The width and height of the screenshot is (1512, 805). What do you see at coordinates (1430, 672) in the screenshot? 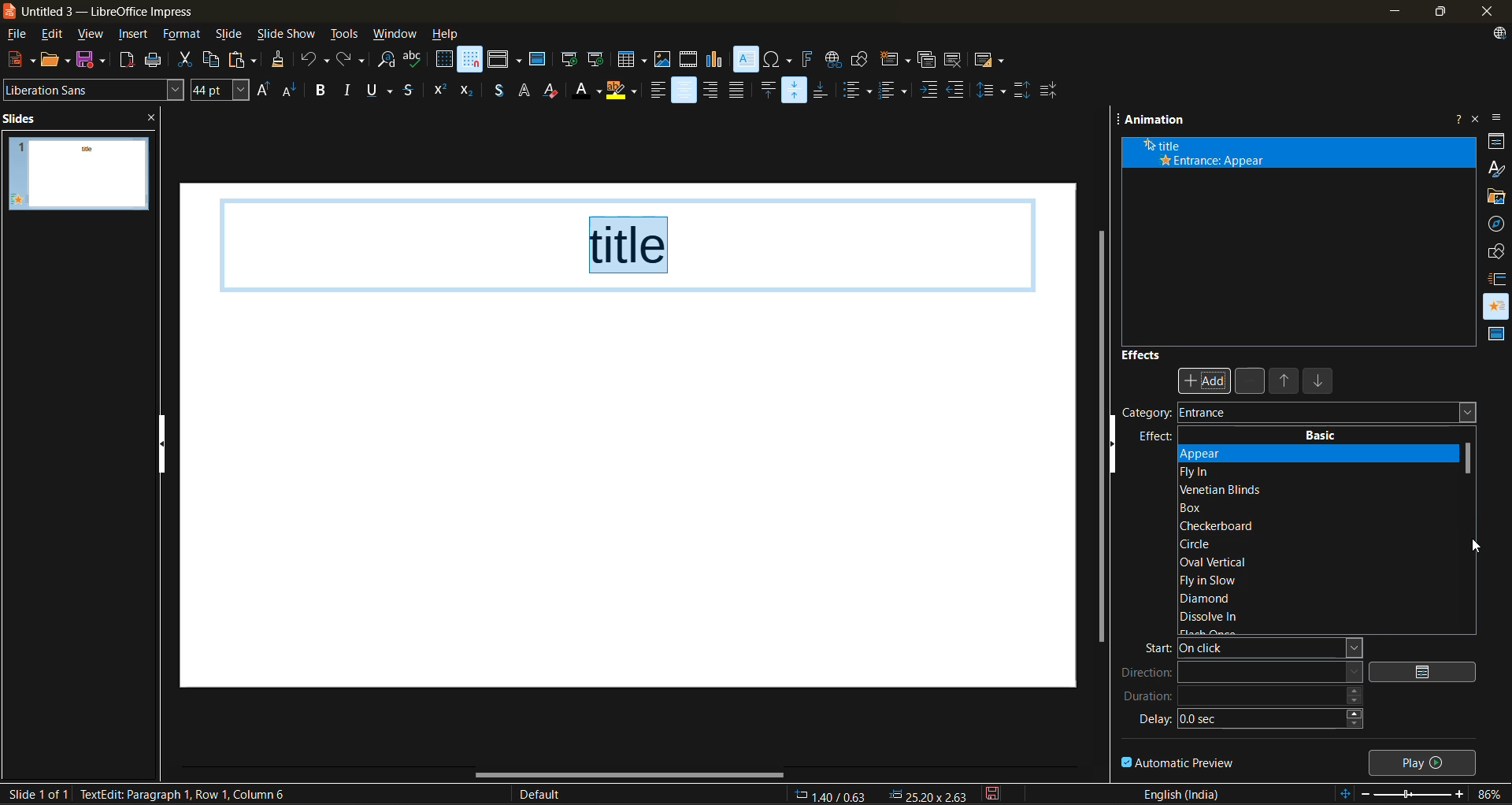
I see `options` at bounding box center [1430, 672].